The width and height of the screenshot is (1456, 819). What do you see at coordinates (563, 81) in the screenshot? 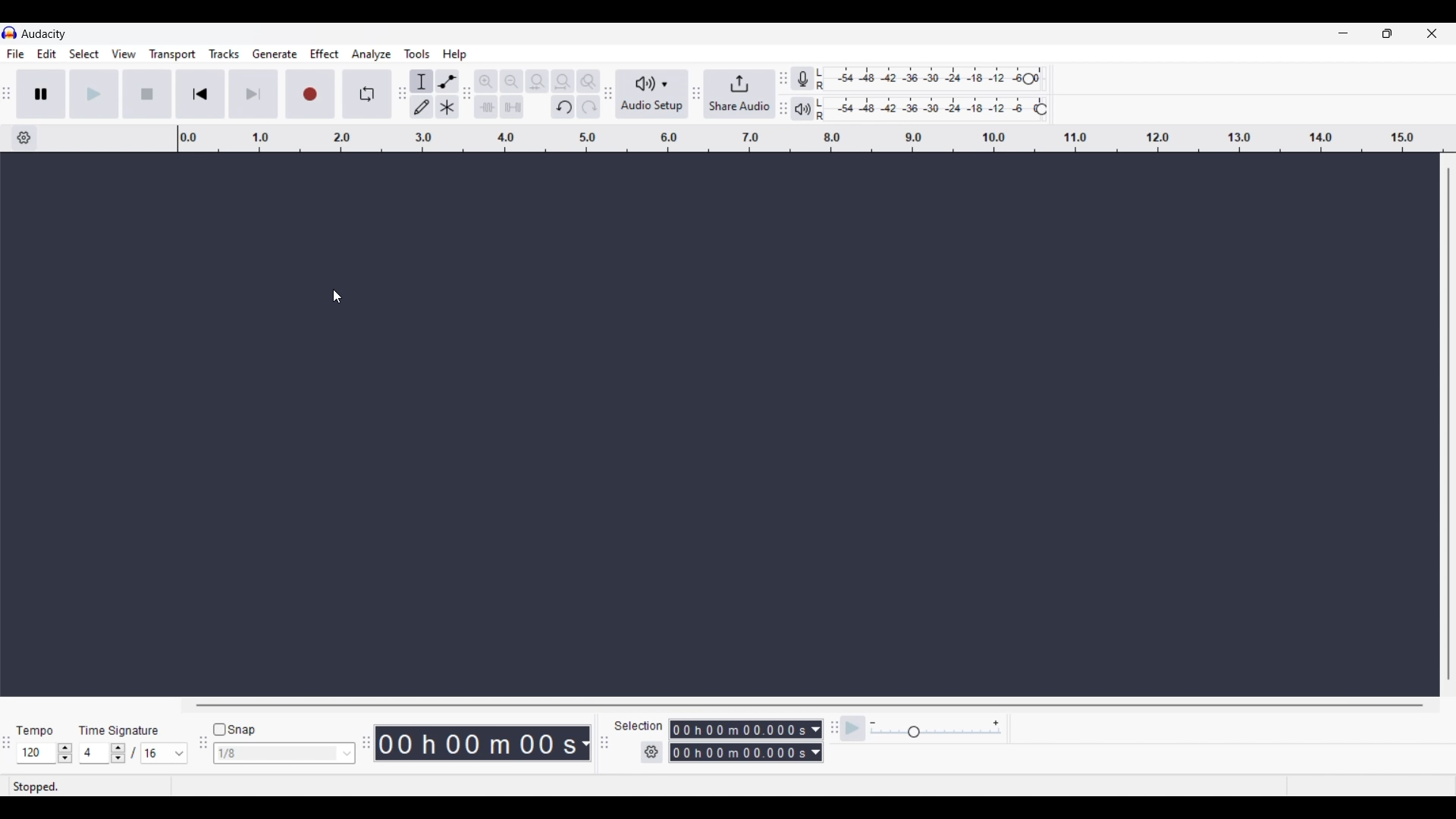
I see `Fit project to width` at bounding box center [563, 81].